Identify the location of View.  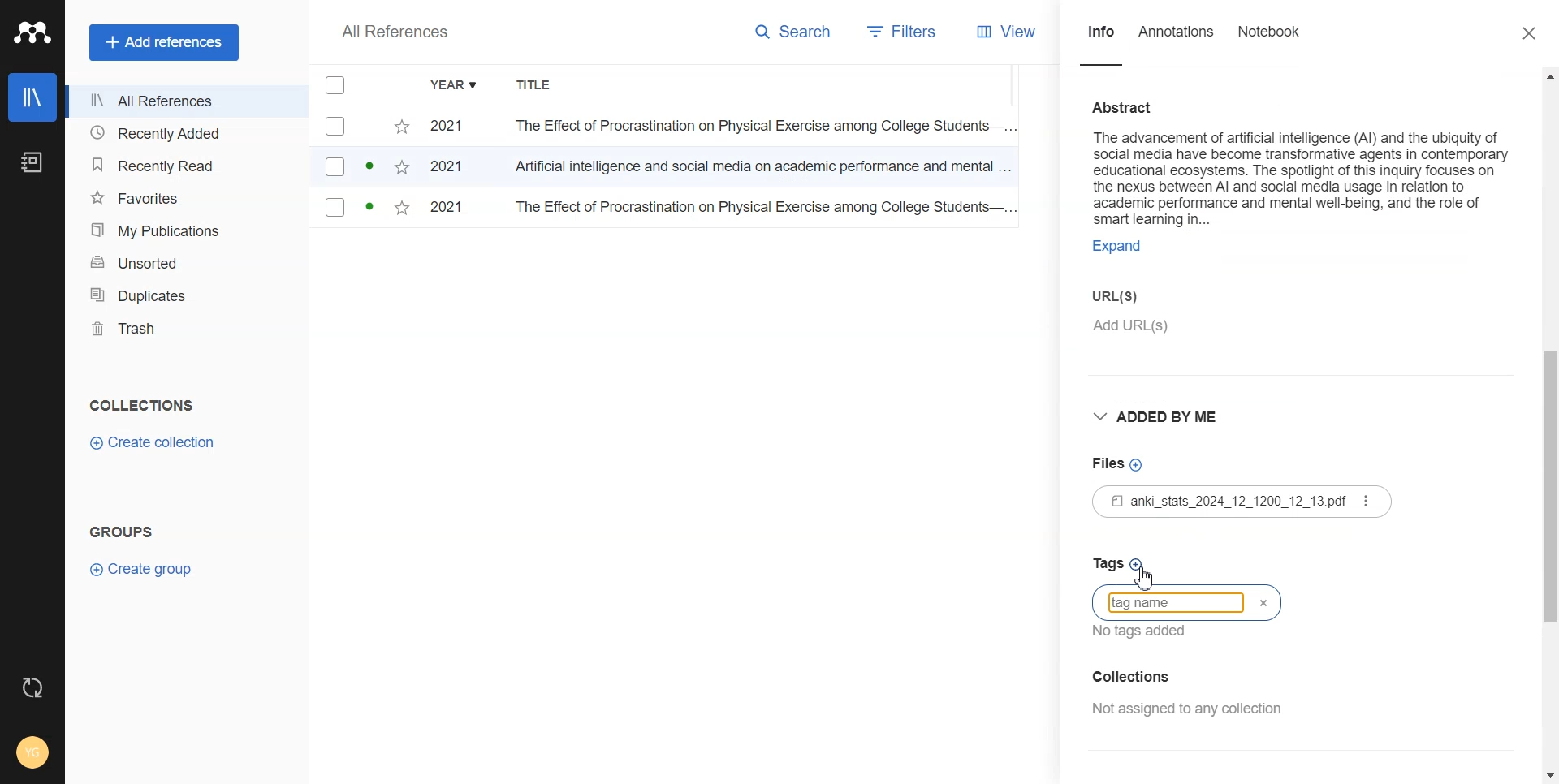
(1014, 32).